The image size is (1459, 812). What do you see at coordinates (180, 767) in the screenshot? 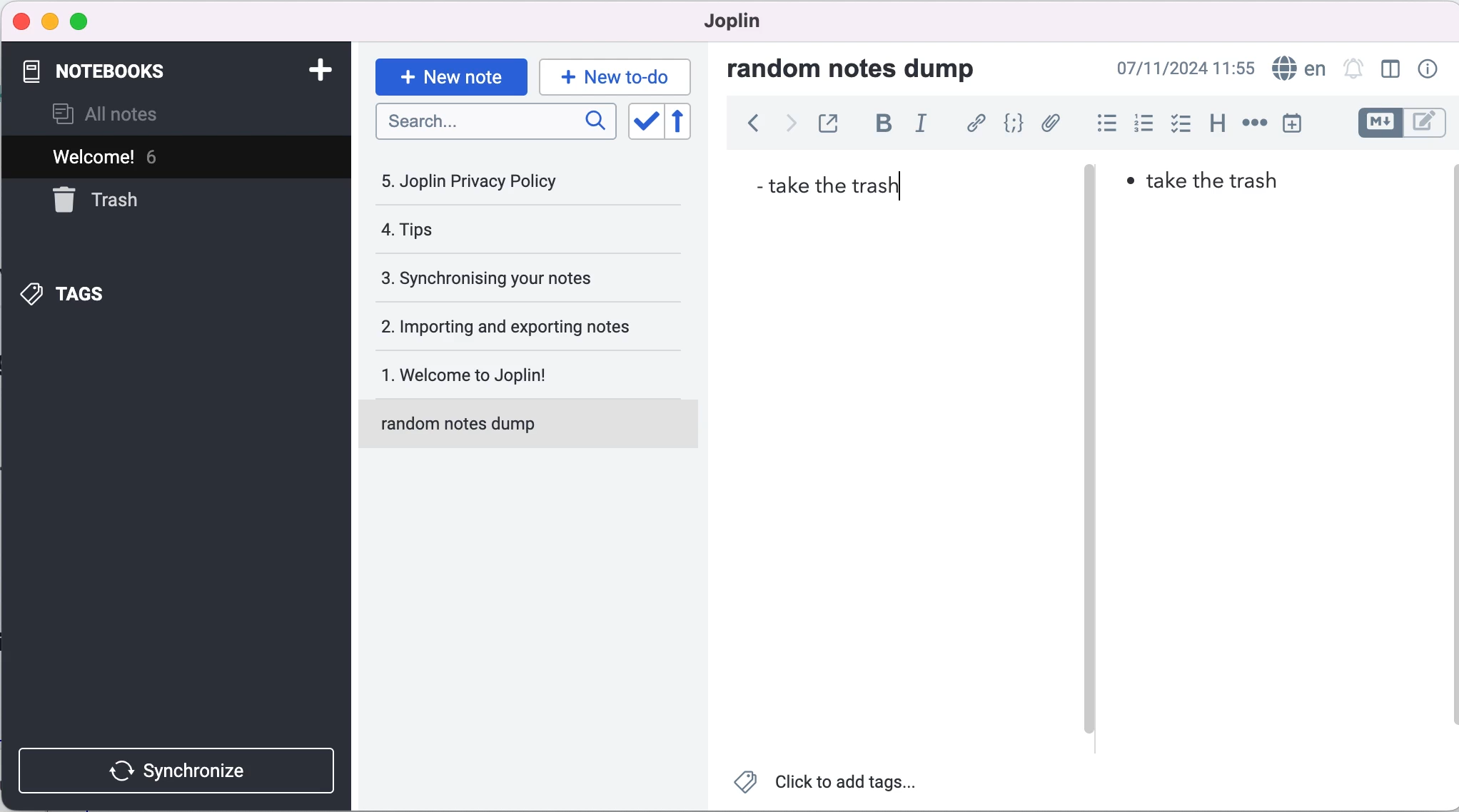
I see `synchronize` at bounding box center [180, 767].